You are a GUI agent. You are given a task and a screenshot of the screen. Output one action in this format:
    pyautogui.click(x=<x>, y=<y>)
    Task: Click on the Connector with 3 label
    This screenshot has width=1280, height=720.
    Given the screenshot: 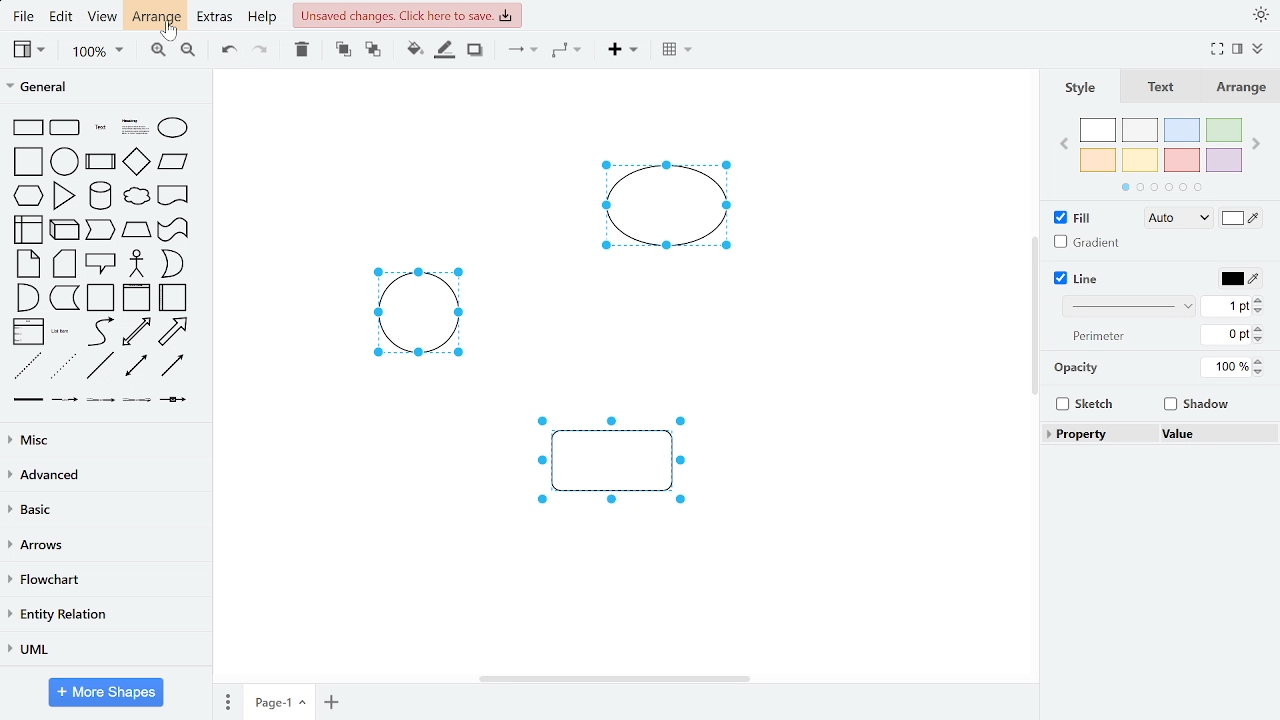 What is the action you would take?
    pyautogui.click(x=136, y=404)
    